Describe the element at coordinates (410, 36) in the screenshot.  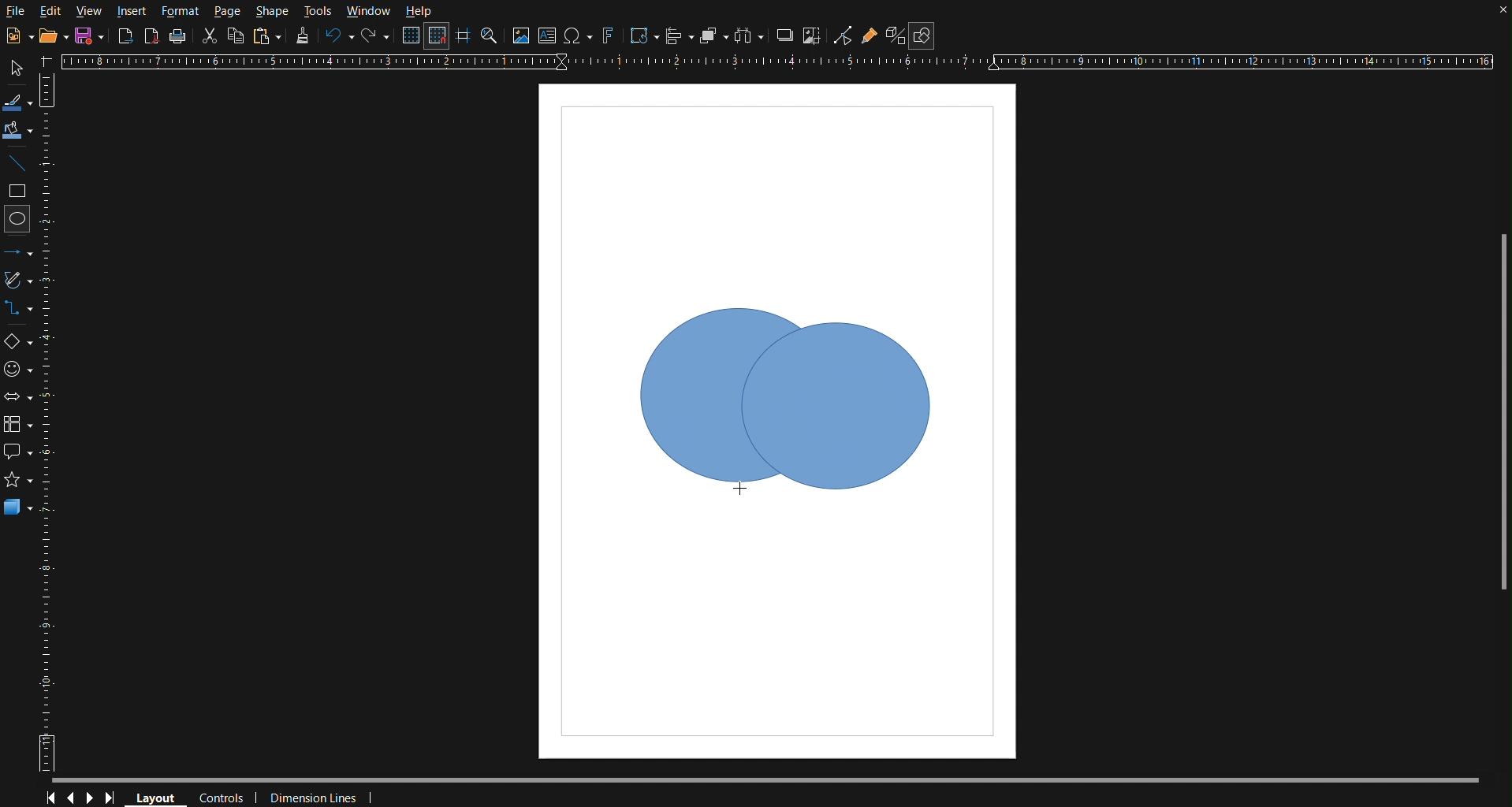
I see `Display Grid` at that location.